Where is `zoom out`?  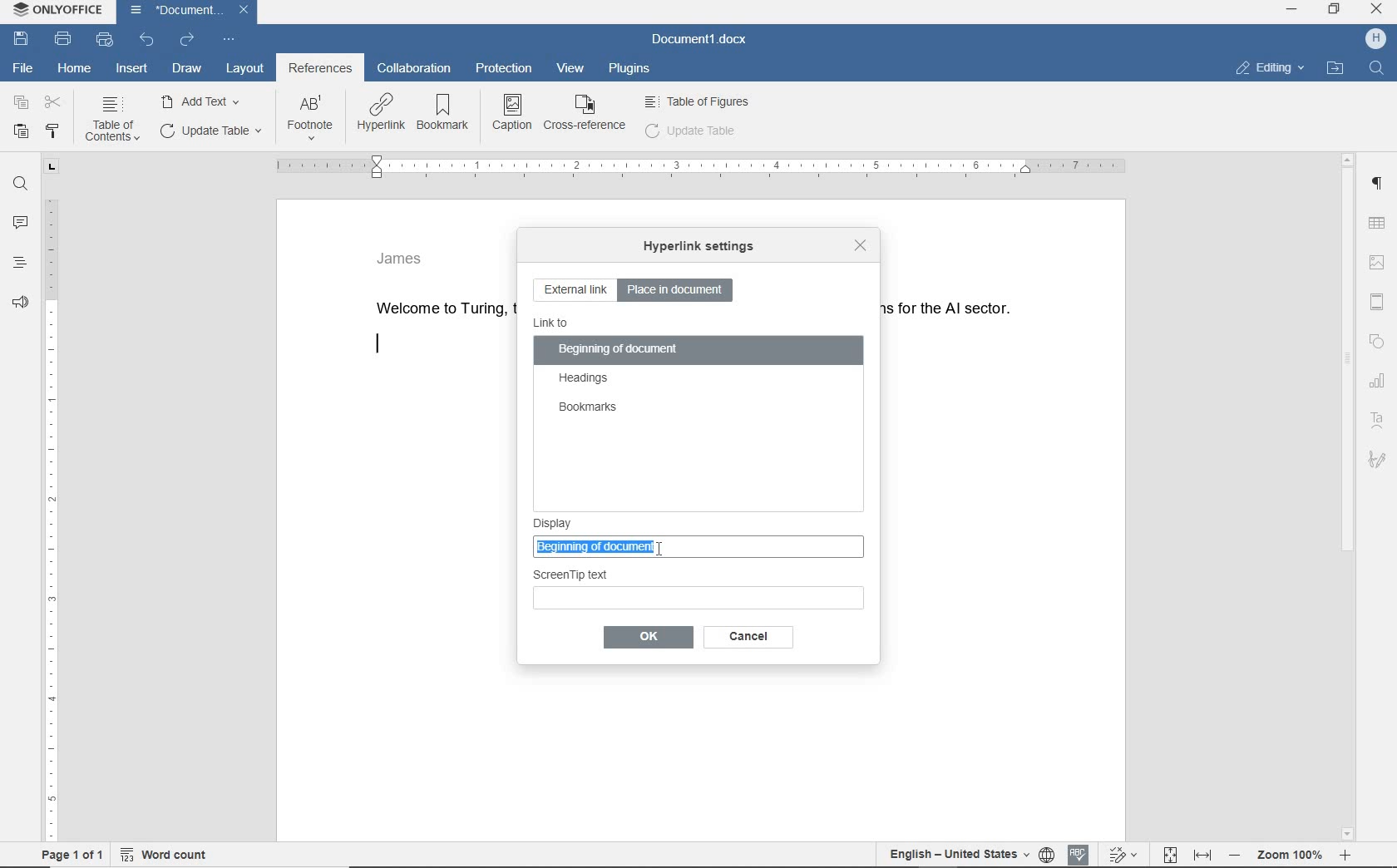
zoom out is located at coordinates (1238, 857).